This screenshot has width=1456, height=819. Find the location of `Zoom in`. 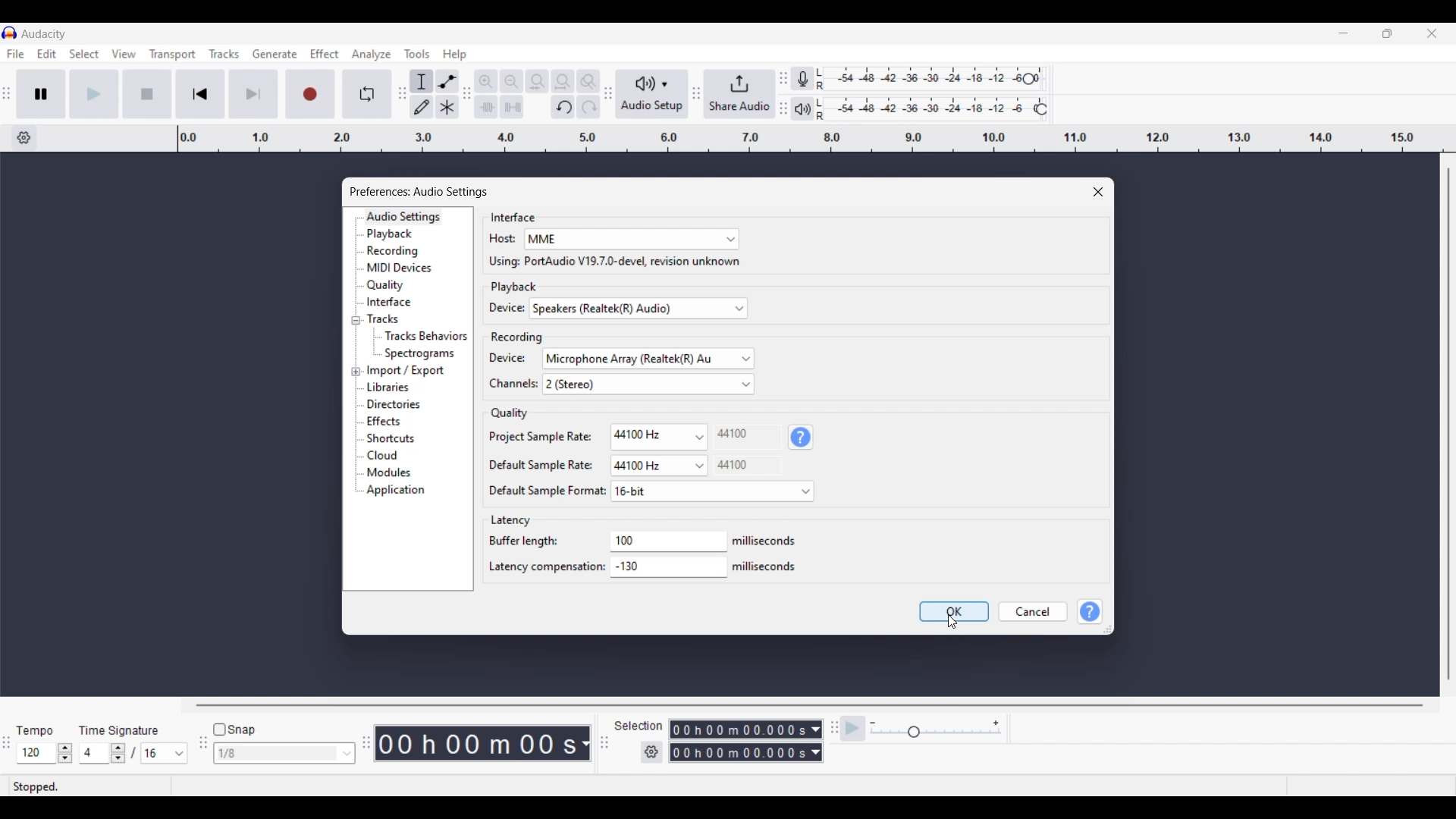

Zoom in is located at coordinates (485, 81).